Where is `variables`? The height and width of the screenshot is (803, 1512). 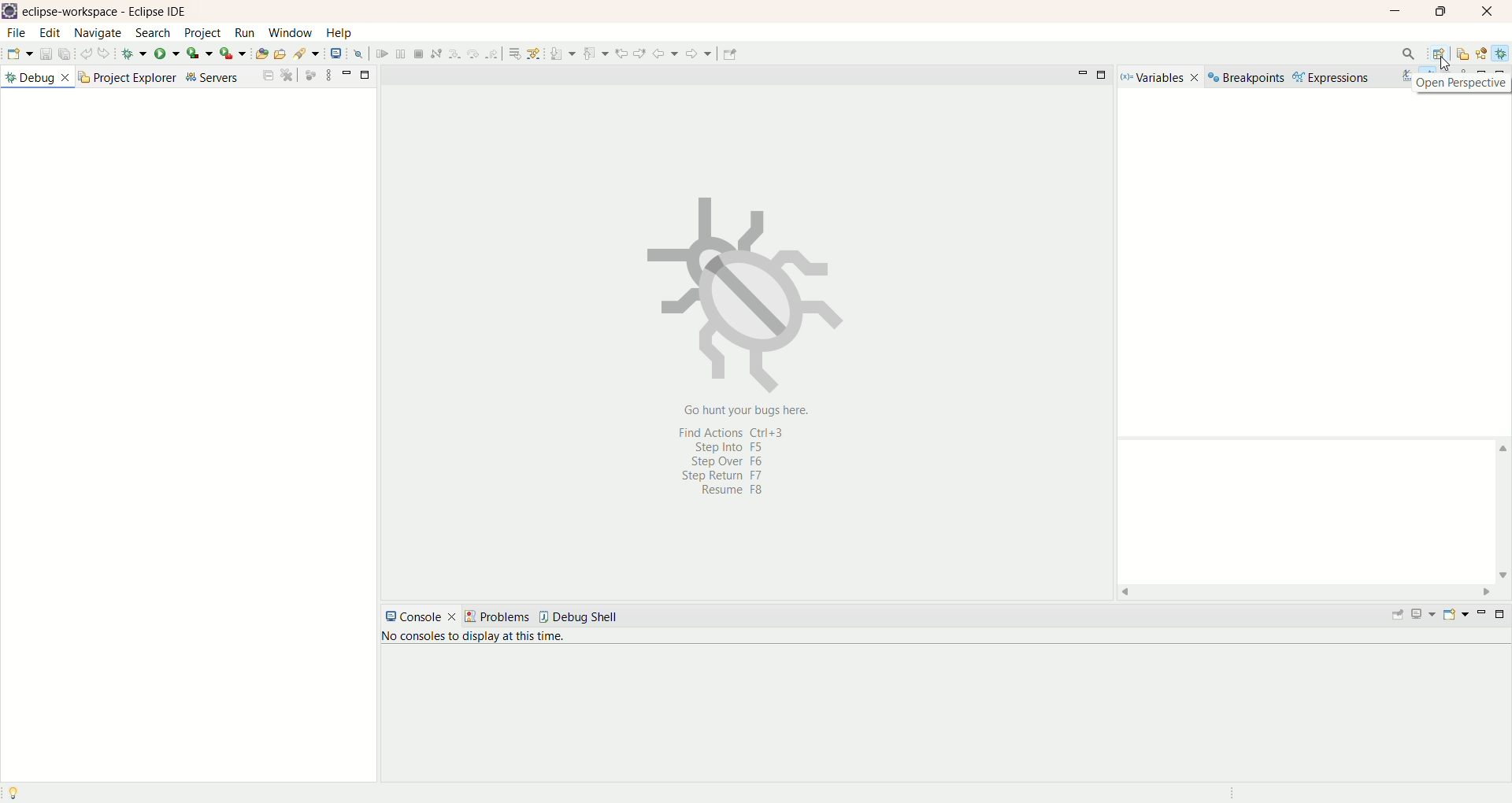
variables is located at coordinates (1160, 76).